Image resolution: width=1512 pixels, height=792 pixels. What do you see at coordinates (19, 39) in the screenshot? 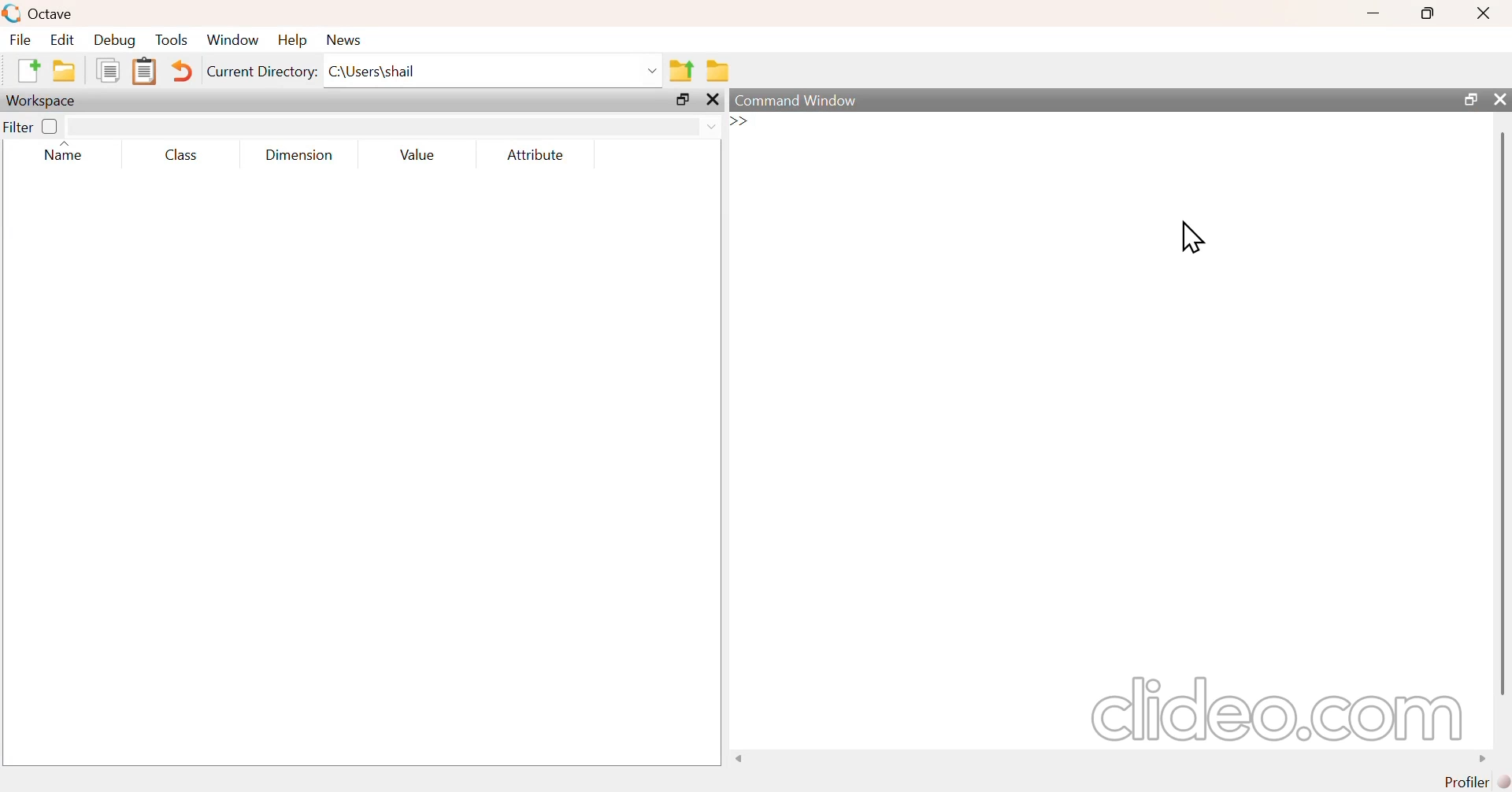
I see `file` at bounding box center [19, 39].